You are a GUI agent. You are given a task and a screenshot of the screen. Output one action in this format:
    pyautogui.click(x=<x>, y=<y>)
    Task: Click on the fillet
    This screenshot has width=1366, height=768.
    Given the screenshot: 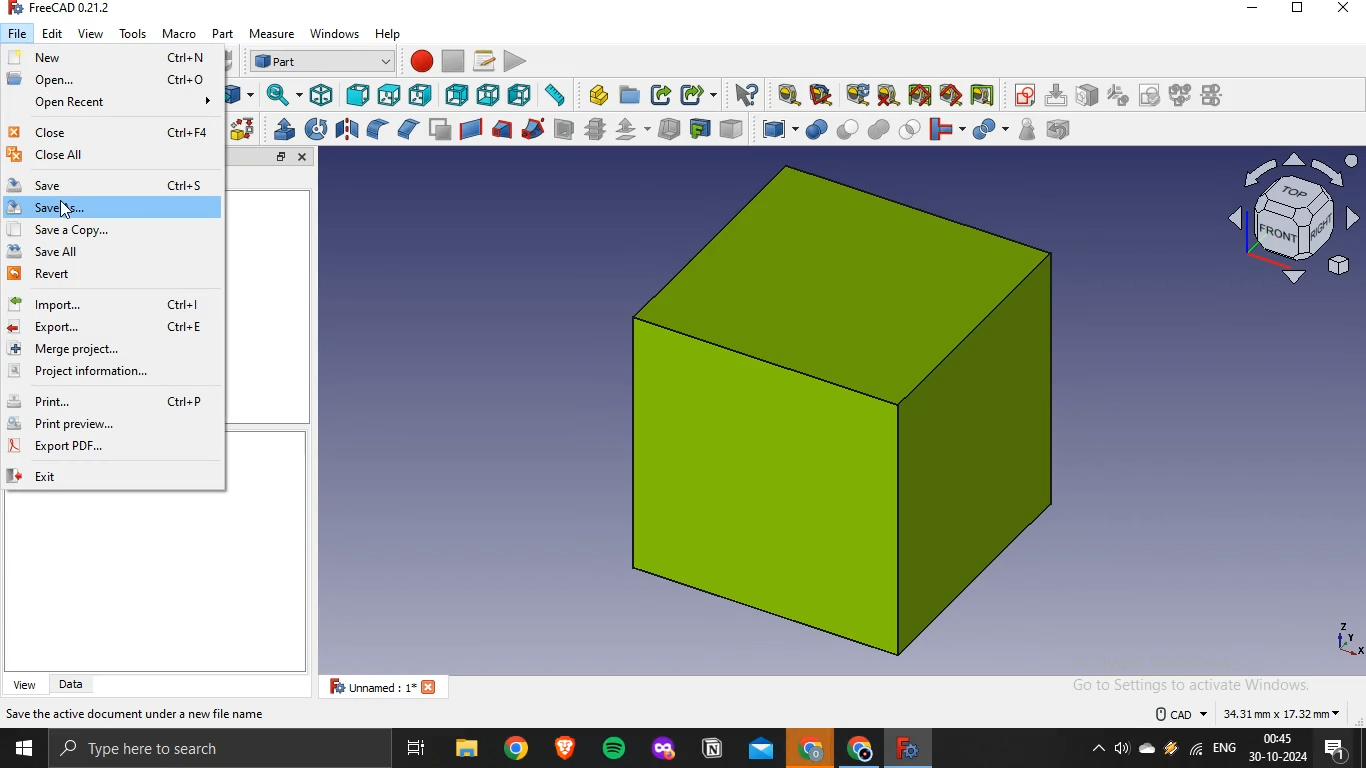 What is the action you would take?
    pyautogui.click(x=375, y=130)
    